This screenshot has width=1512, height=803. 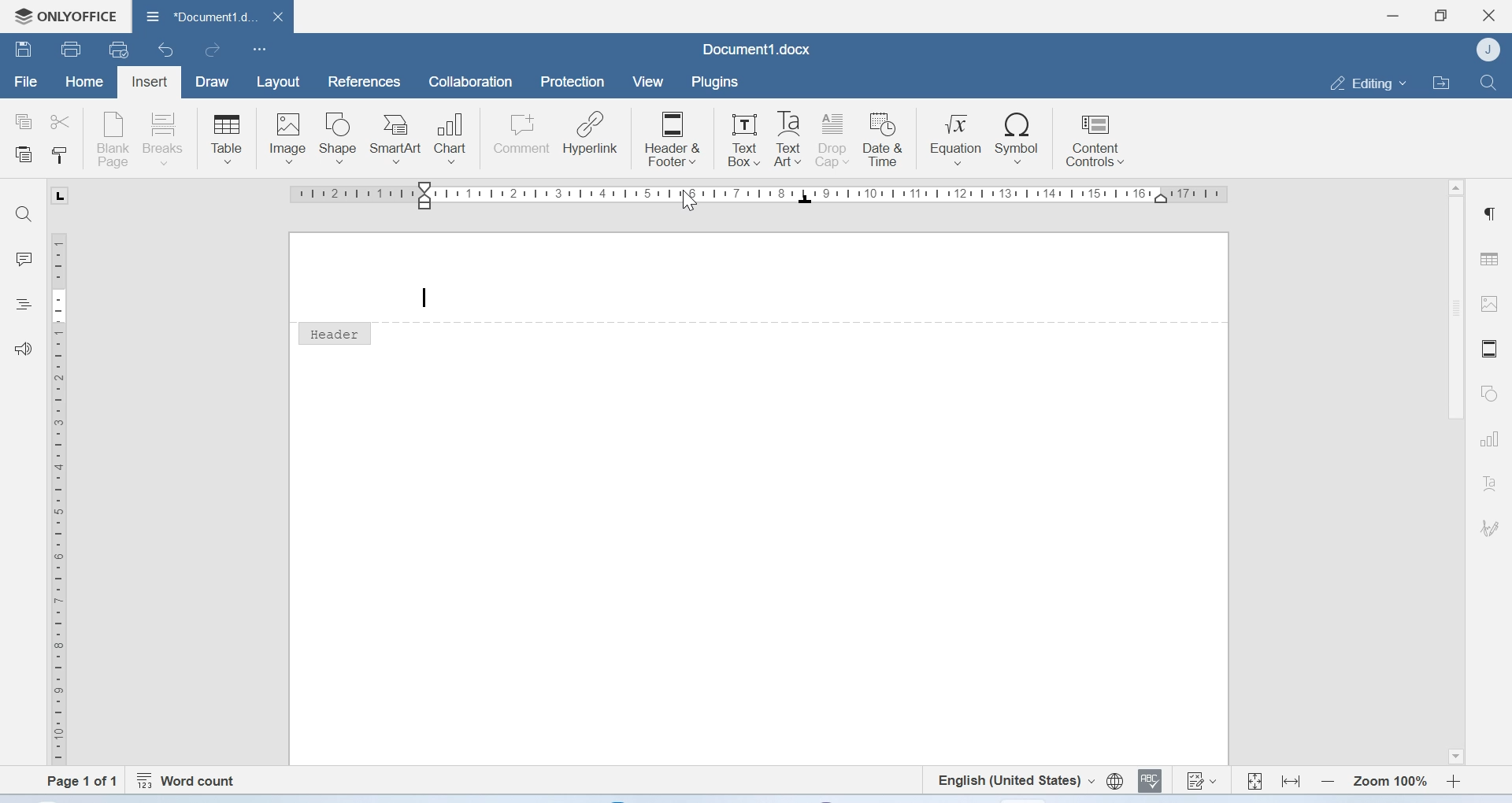 What do you see at coordinates (691, 201) in the screenshot?
I see `Cursor` at bounding box center [691, 201].